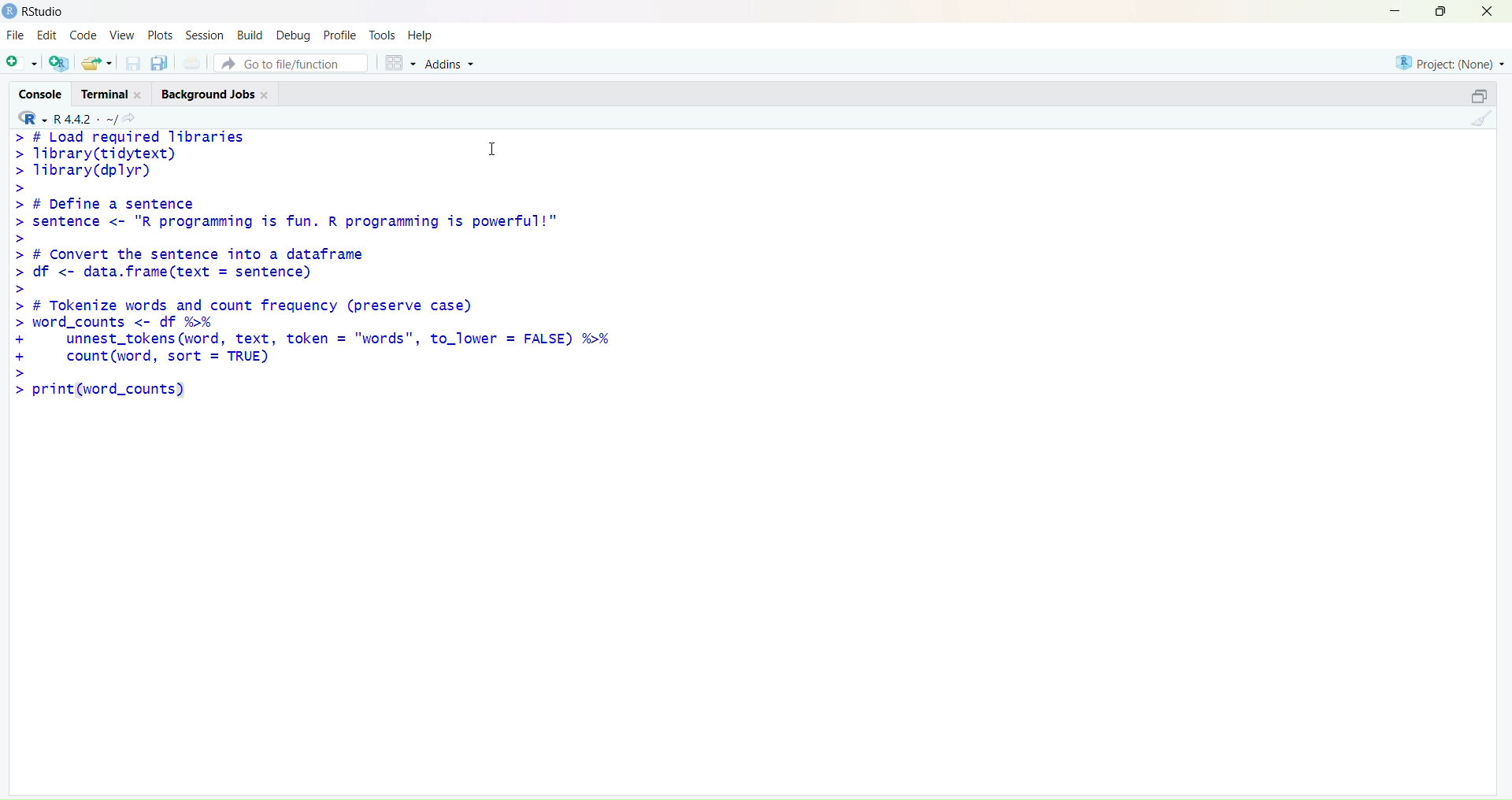  What do you see at coordinates (111, 93) in the screenshot?
I see `terminal` at bounding box center [111, 93].